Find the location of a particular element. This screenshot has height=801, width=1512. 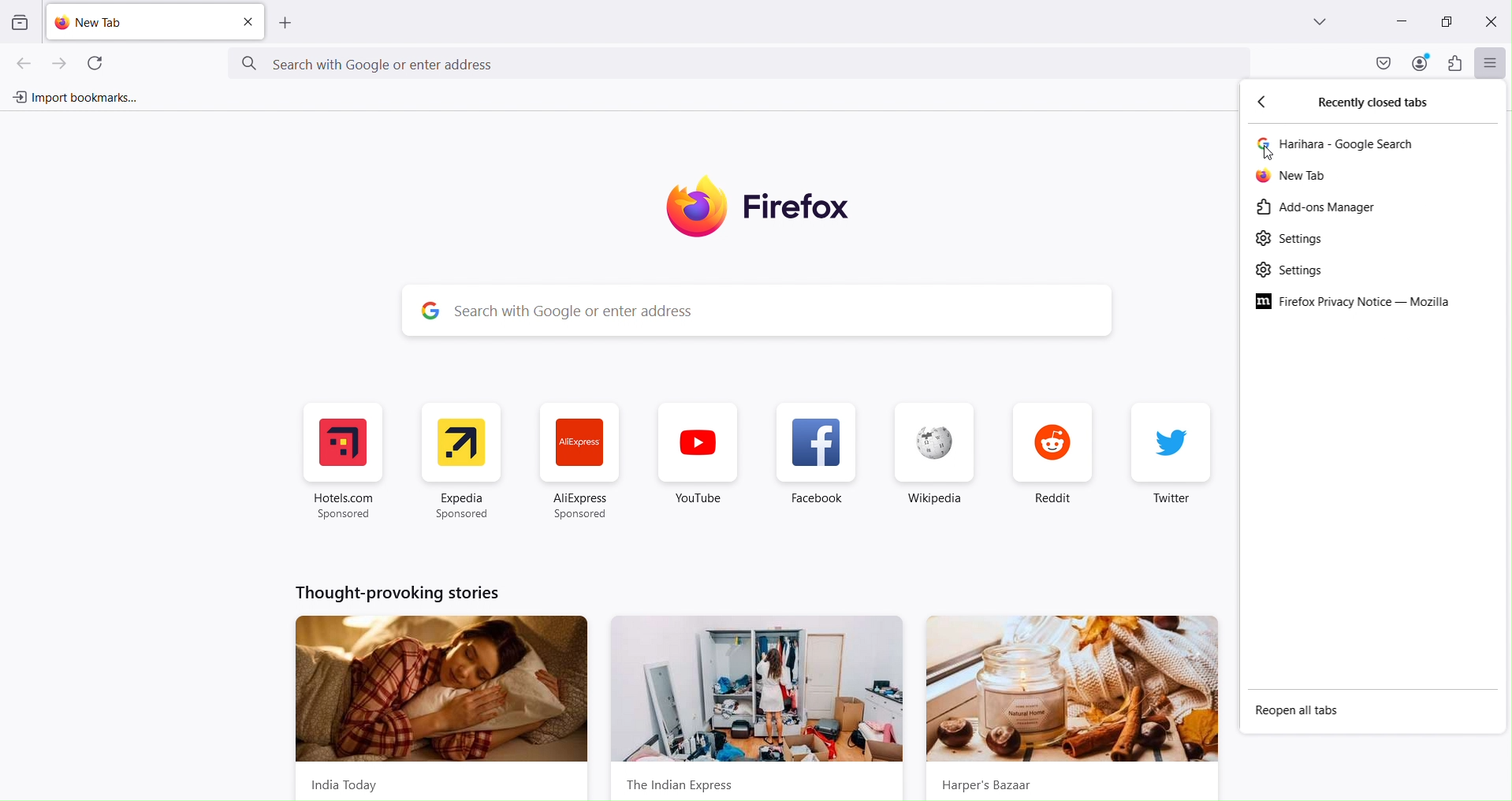

Ali express Web Shortcaut is located at coordinates (581, 464).